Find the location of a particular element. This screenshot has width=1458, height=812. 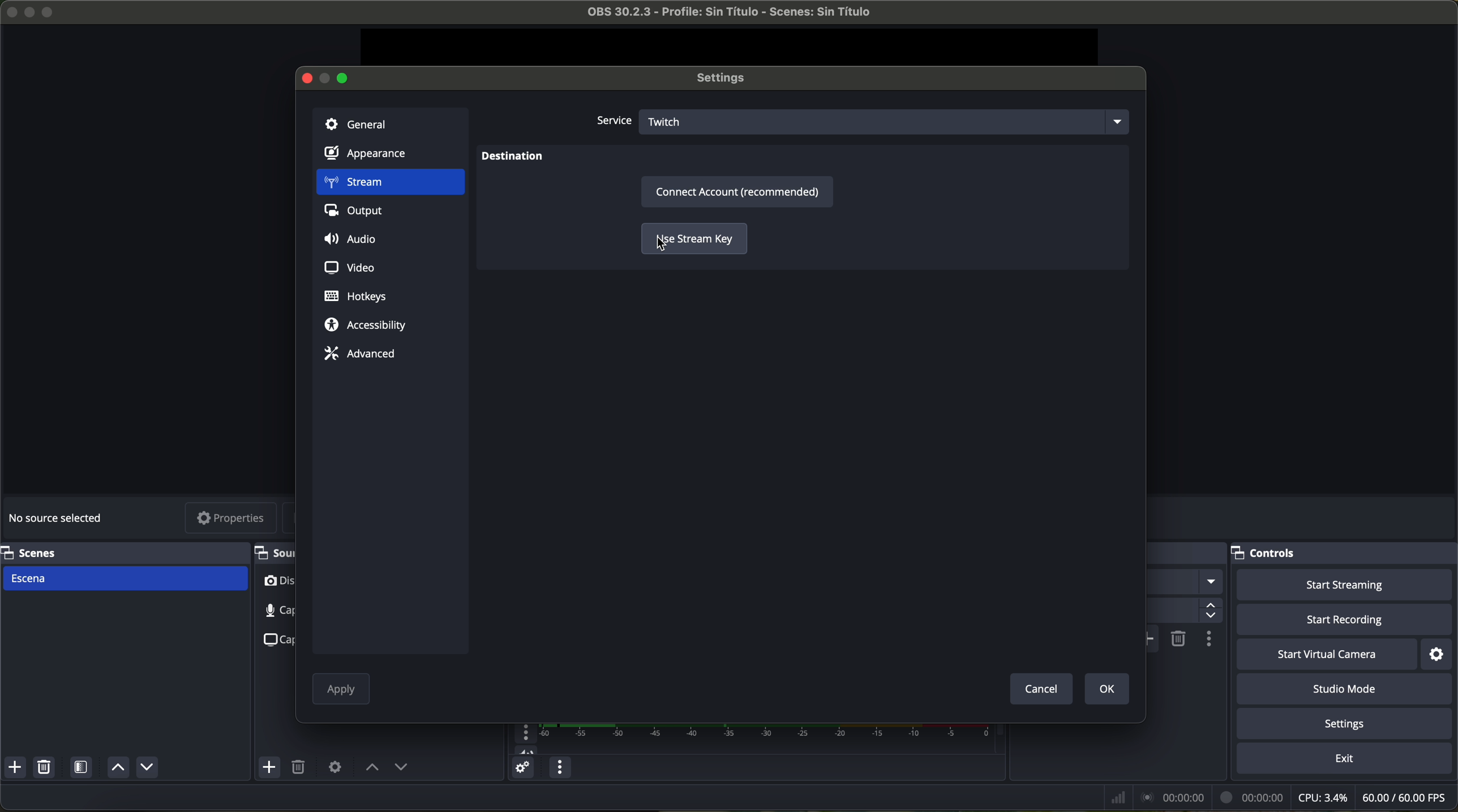

open source properties is located at coordinates (335, 766).